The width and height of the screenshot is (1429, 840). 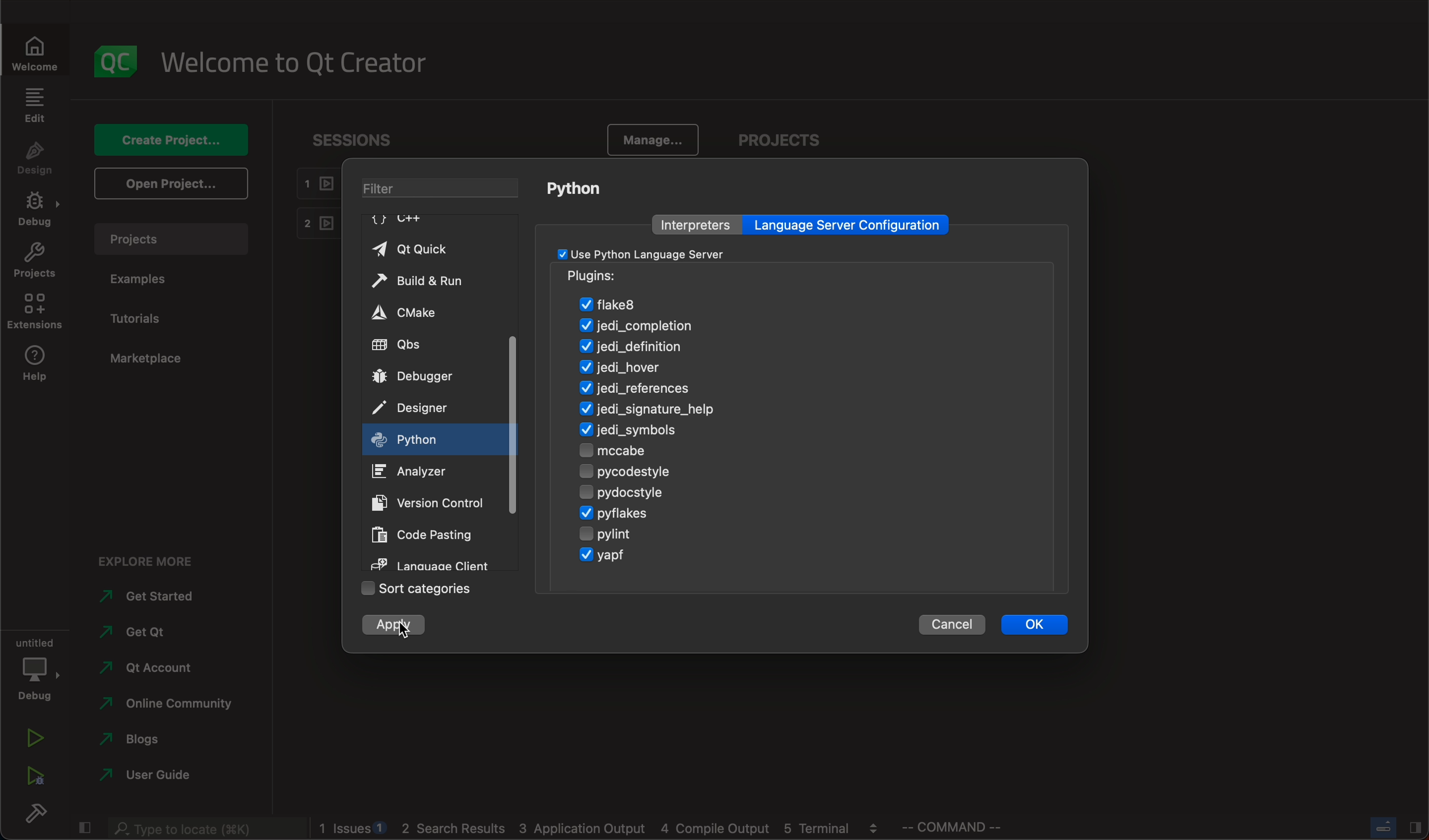 What do you see at coordinates (653, 346) in the screenshot?
I see `definition` at bounding box center [653, 346].